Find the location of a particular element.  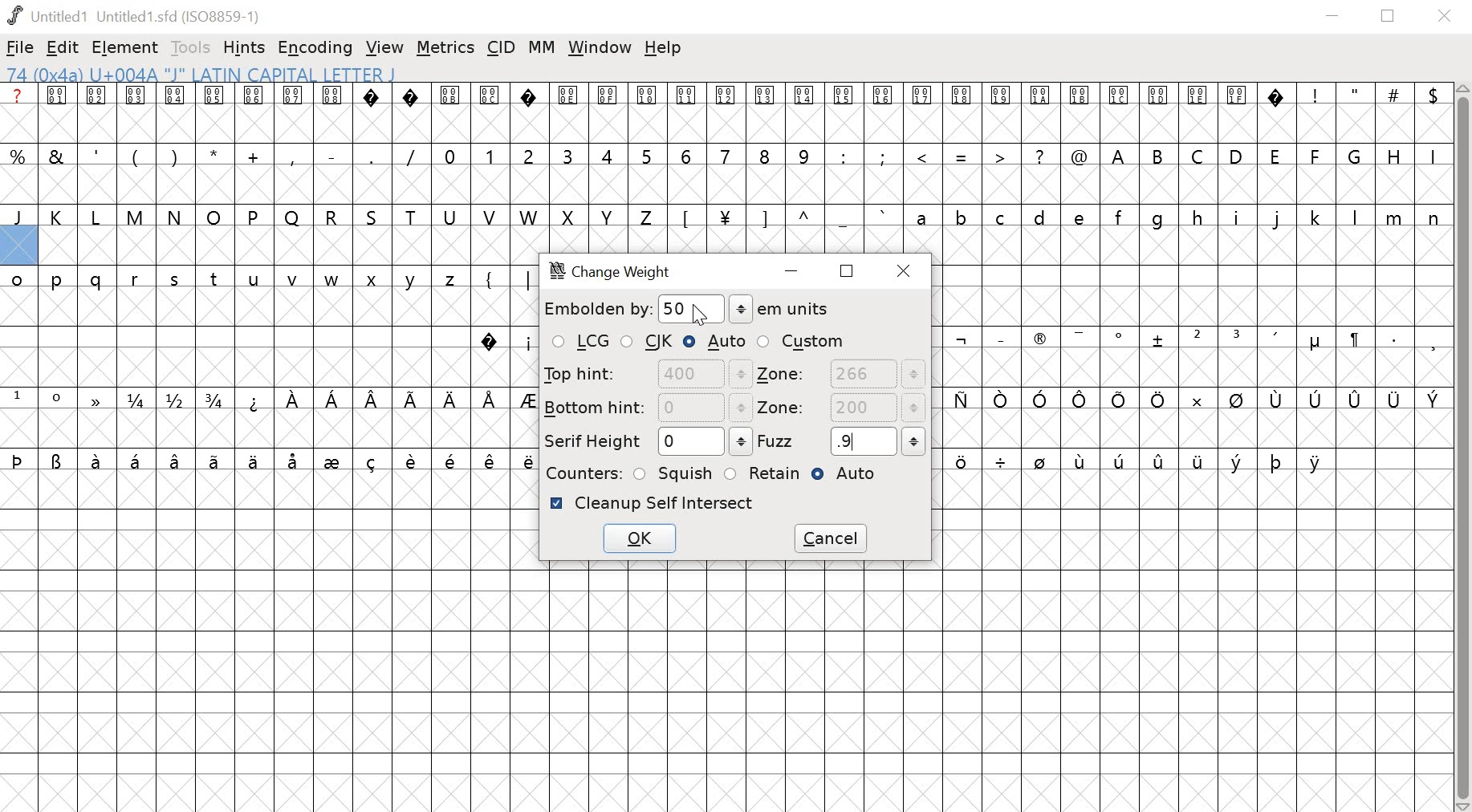

special characters is located at coordinates (1368, 95).